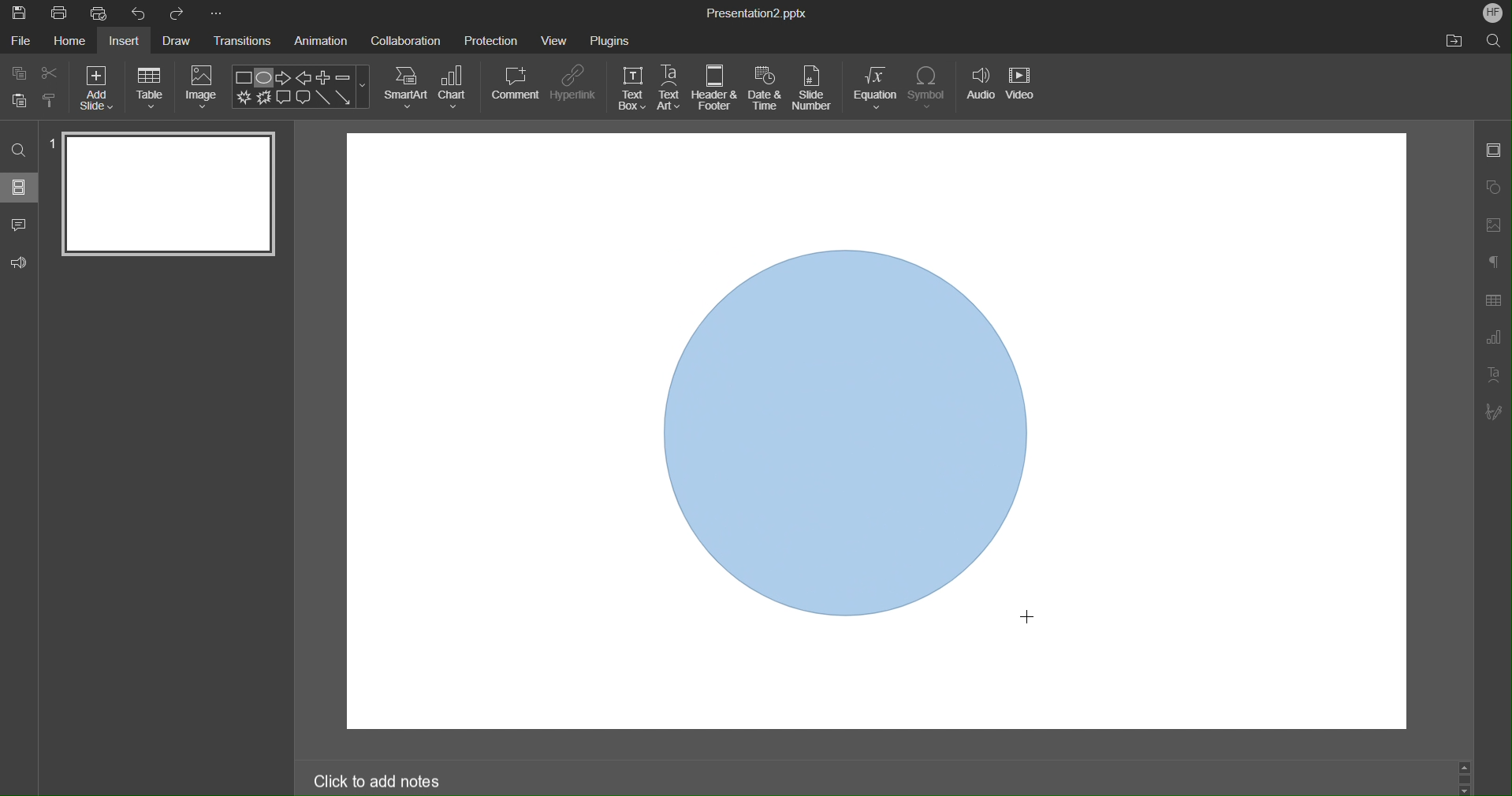 The height and width of the screenshot is (796, 1512). Describe the element at coordinates (20, 221) in the screenshot. I see `Comment` at that location.